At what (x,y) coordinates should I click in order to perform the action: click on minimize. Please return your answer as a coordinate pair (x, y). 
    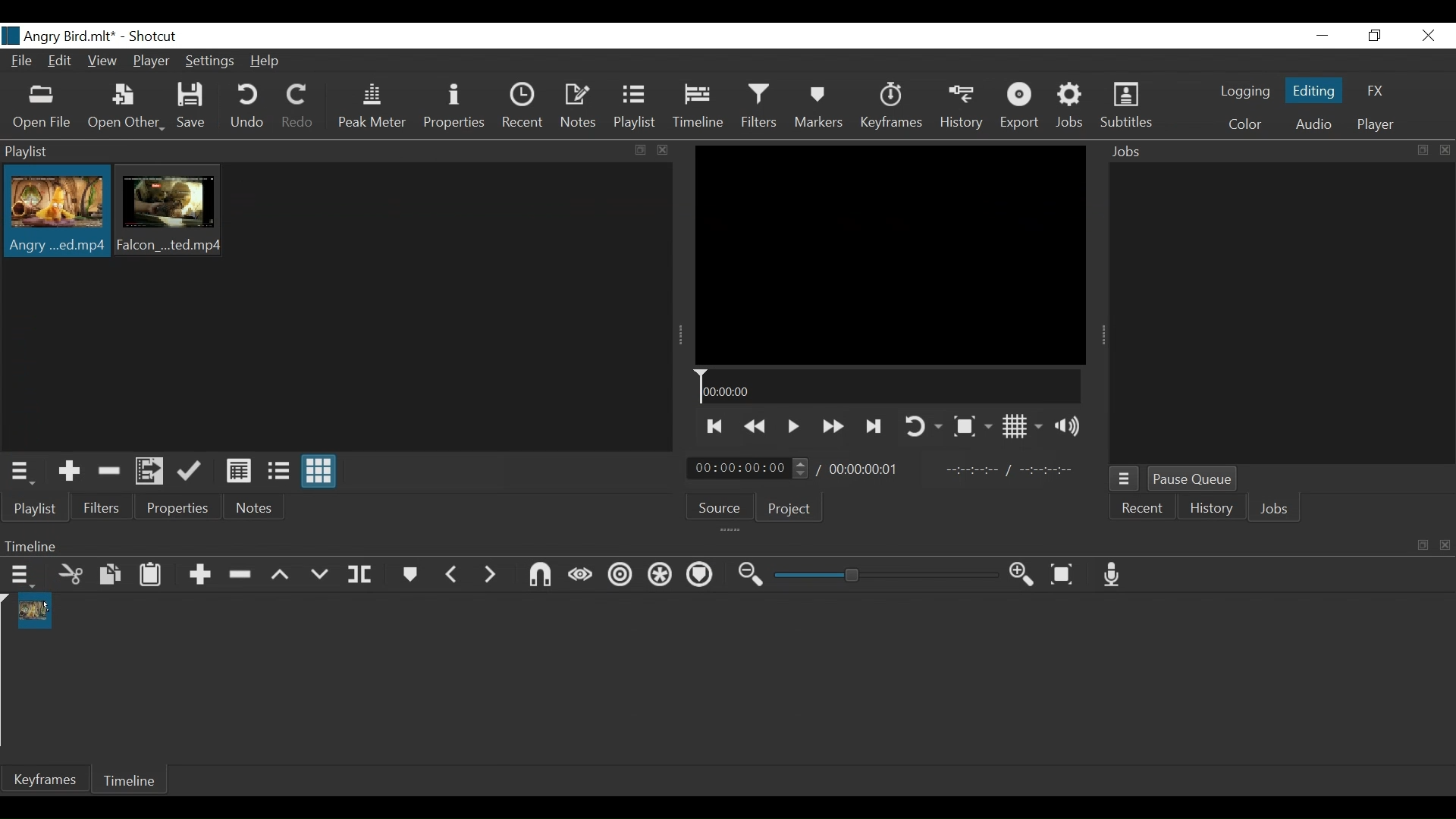
    Looking at the image, I should click on (1325, 35).